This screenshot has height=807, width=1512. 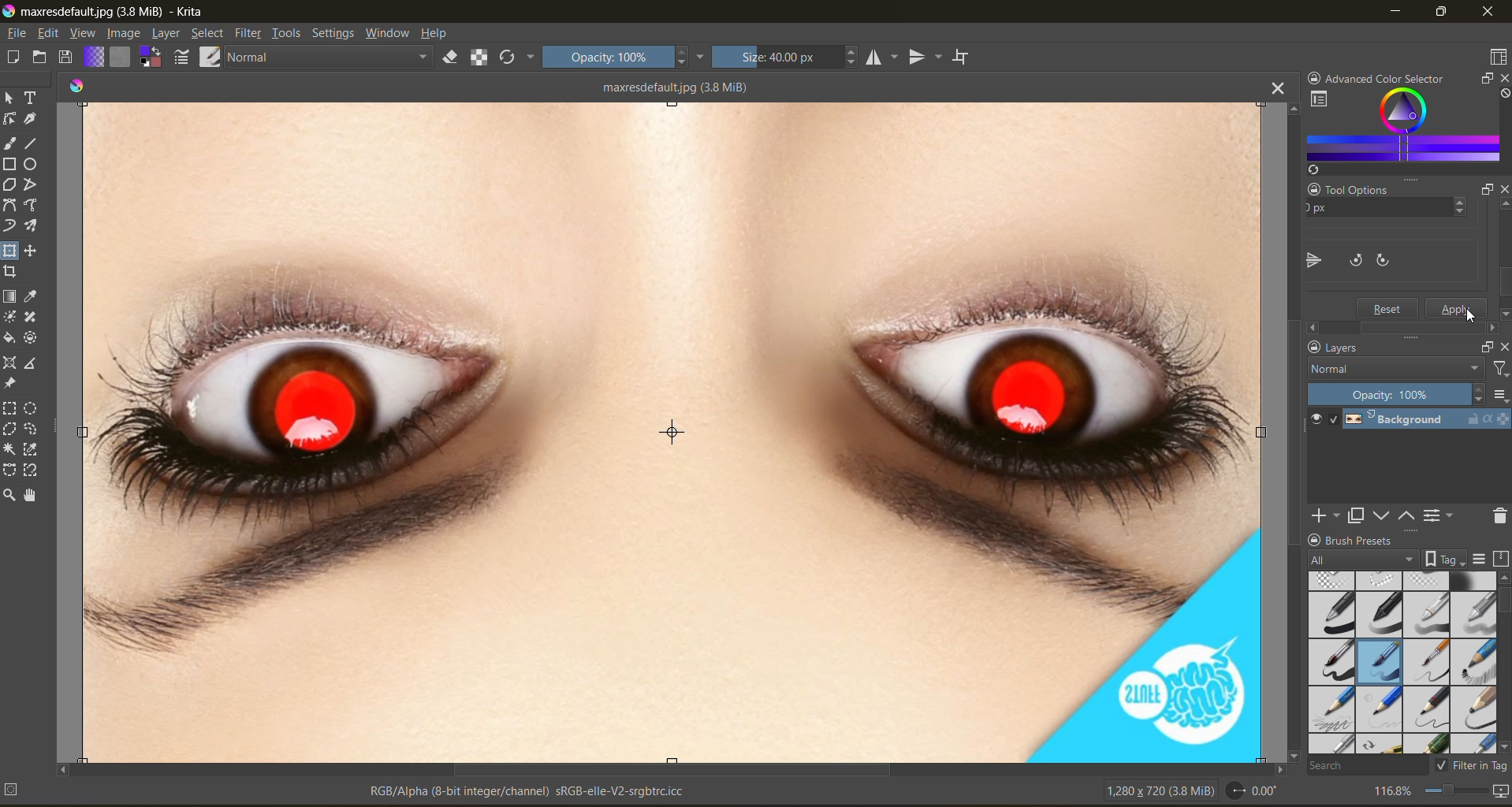 I want to click on lock docker, so click(x=1316, y=79).